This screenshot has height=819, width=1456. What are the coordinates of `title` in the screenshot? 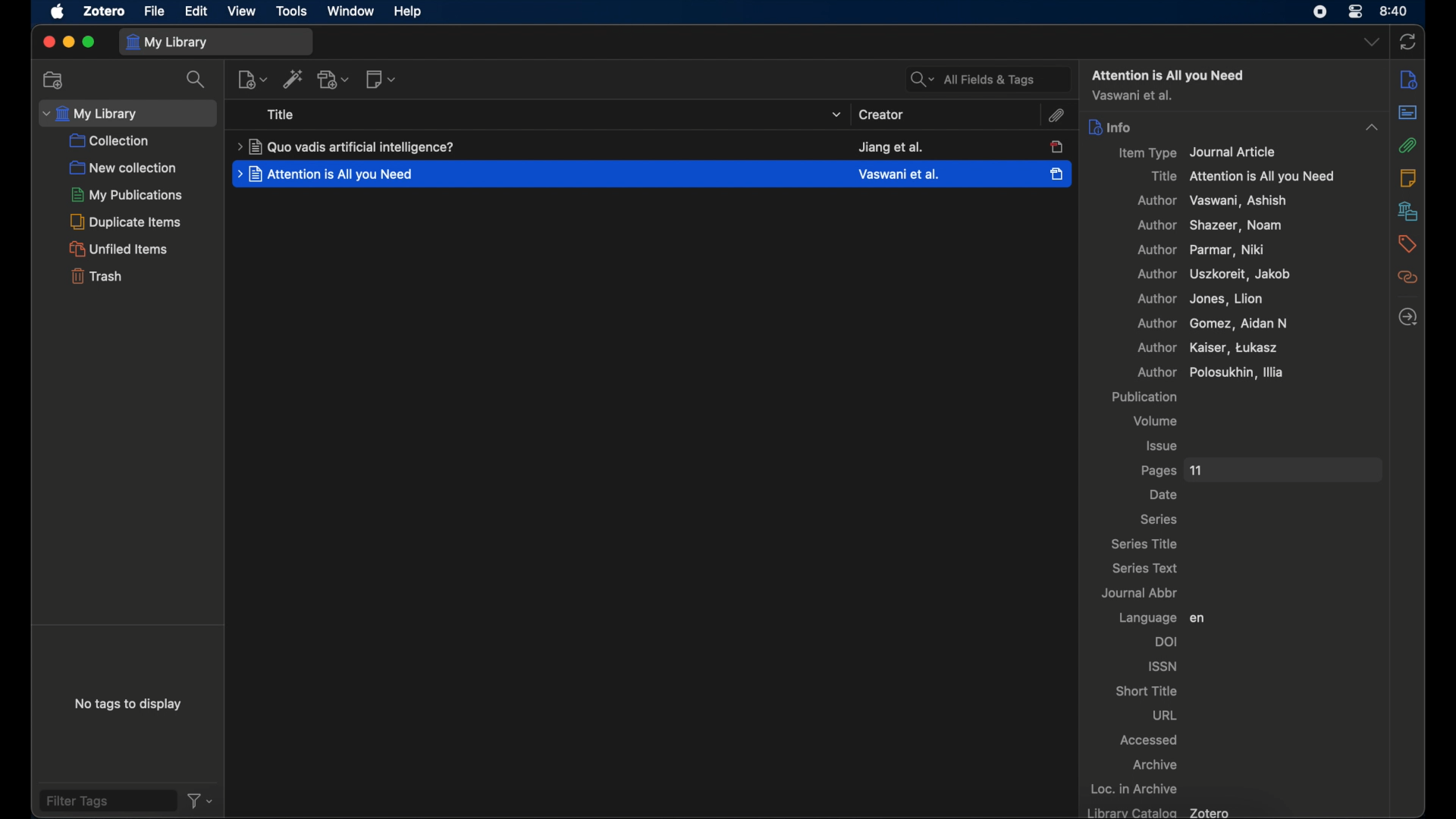 It's located at (346, 146).